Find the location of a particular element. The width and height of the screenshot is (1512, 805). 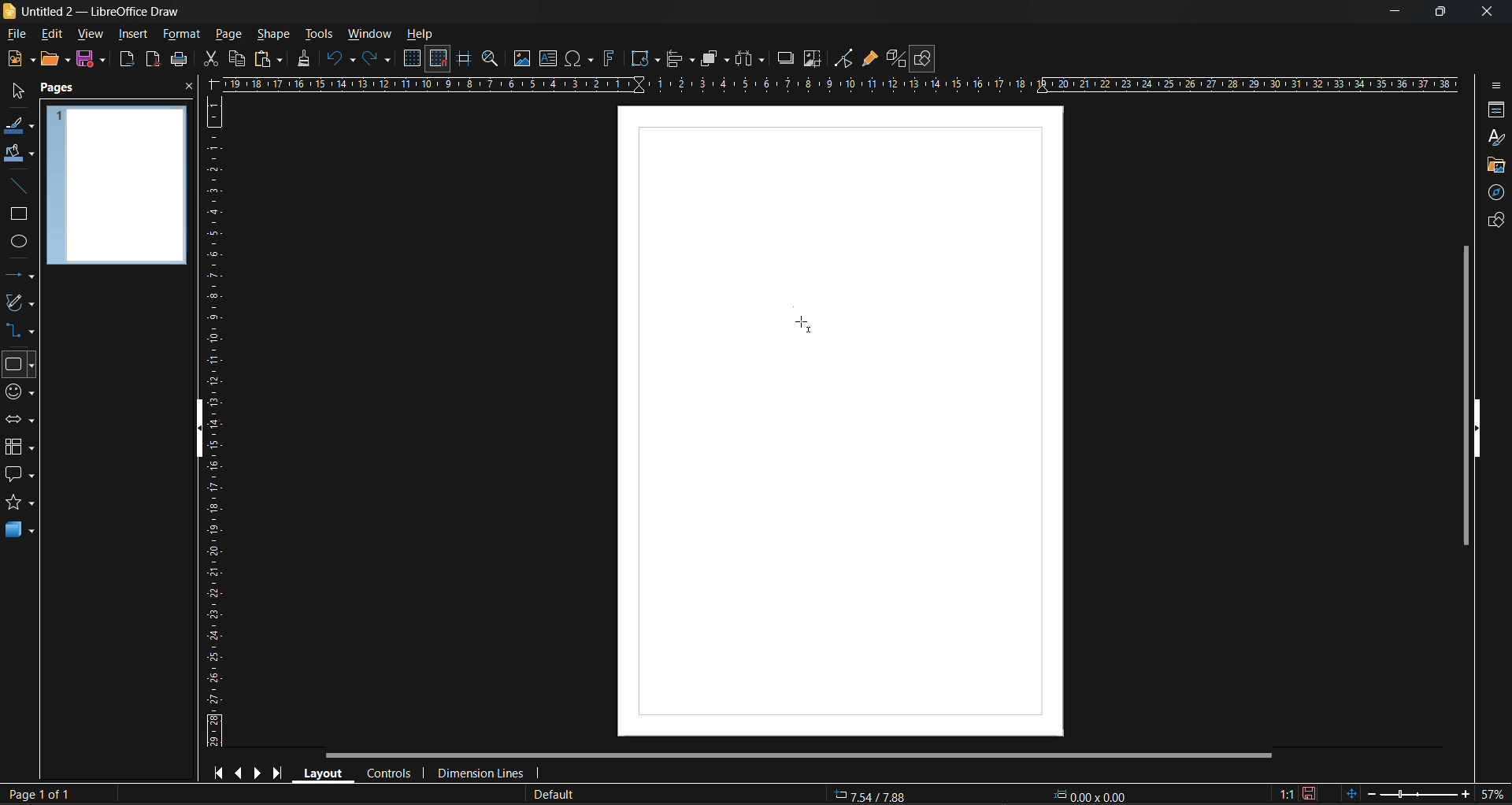

special characters is located at coordinates (580, 59).